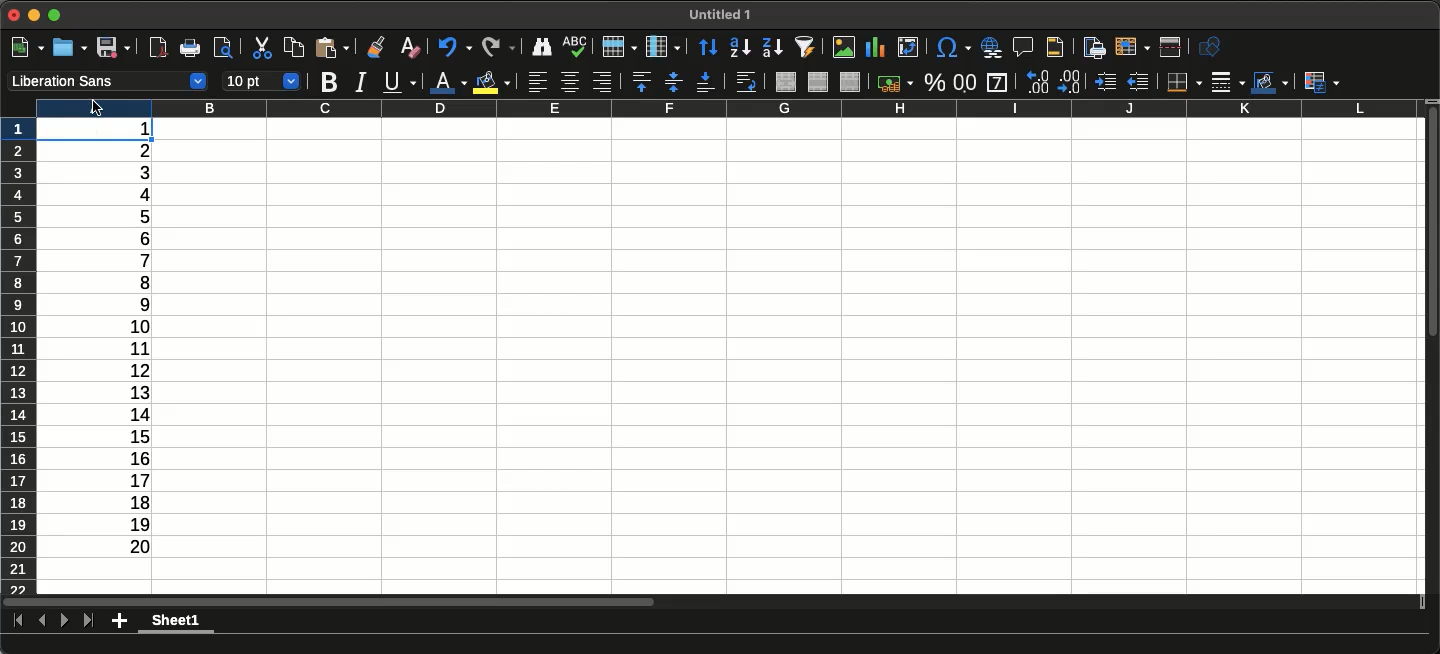  I want to click on Split window, so click(1170, 48).